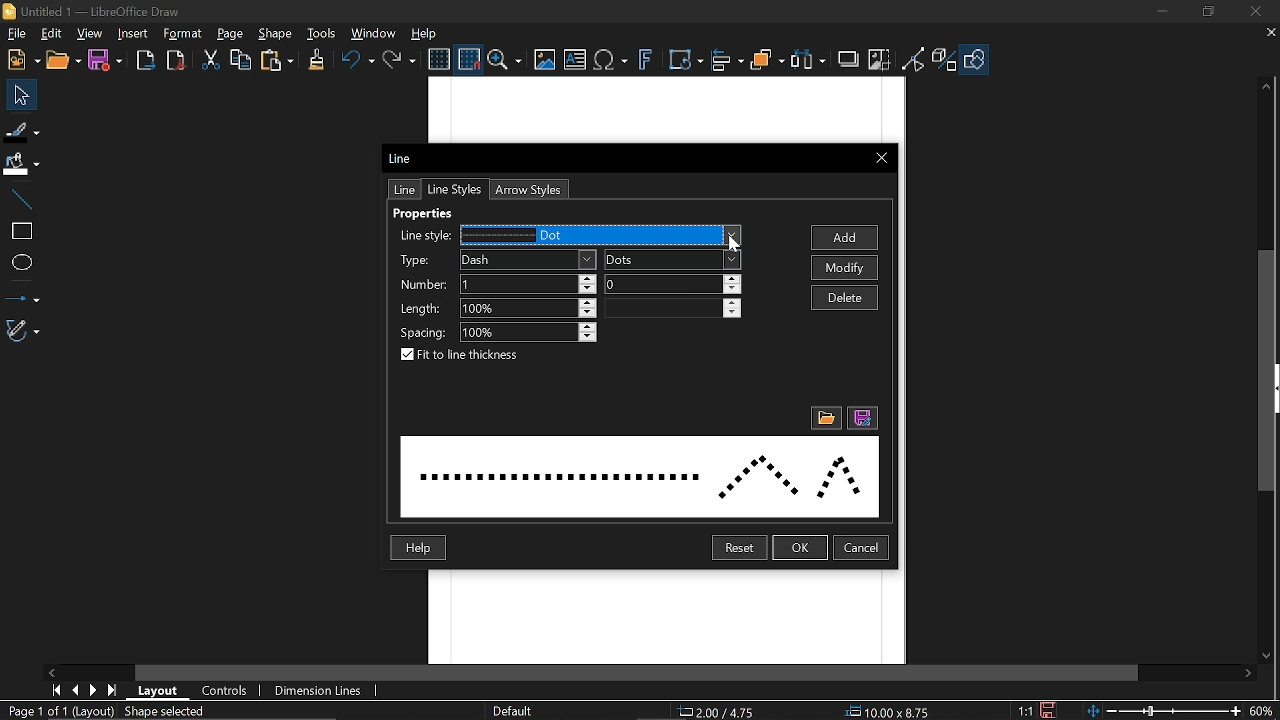  Describe the element at coordinates (1049, 710) in the screenshot. I see `Save` at that location.